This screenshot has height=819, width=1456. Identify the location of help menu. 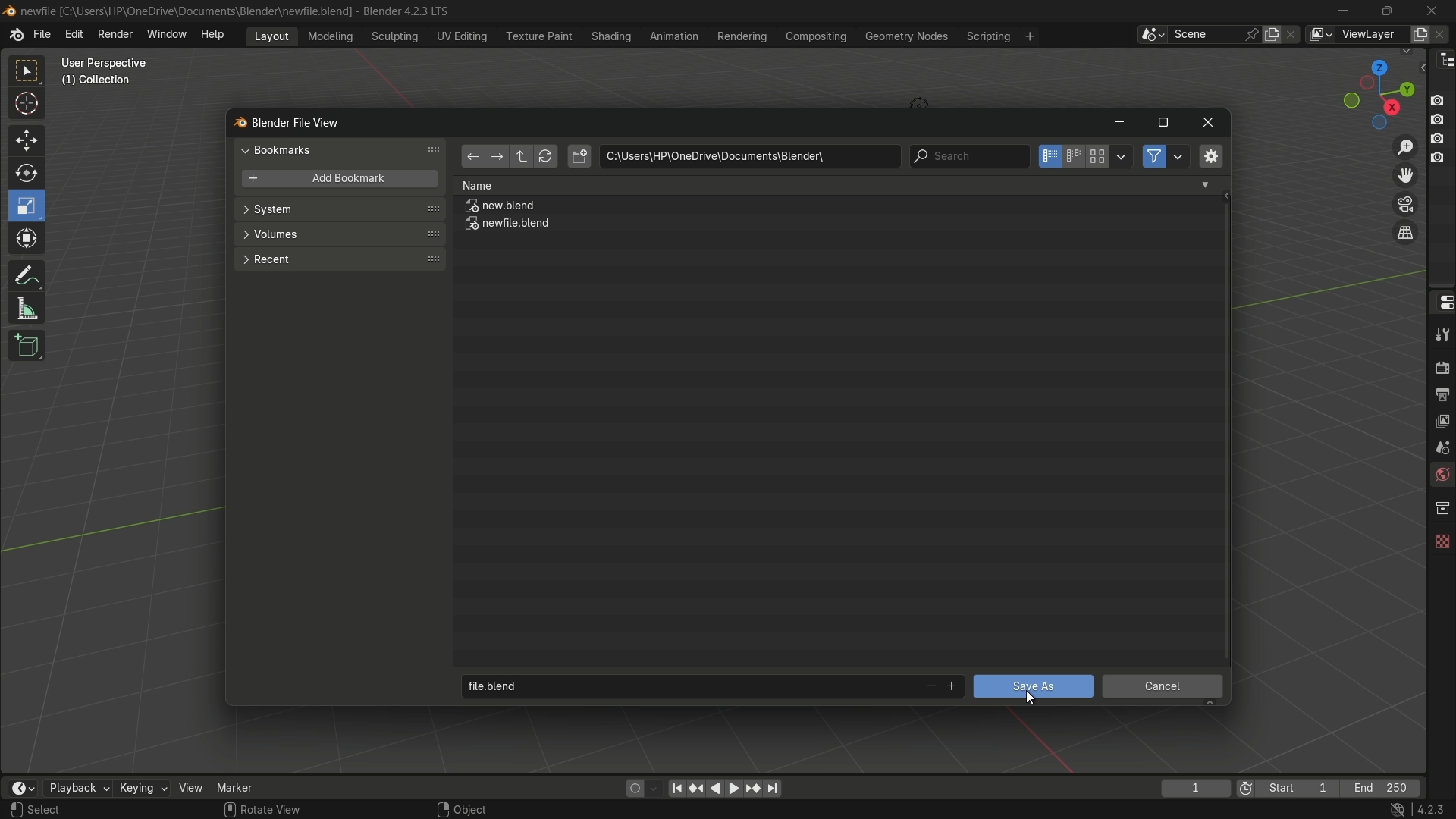
(216, 34).